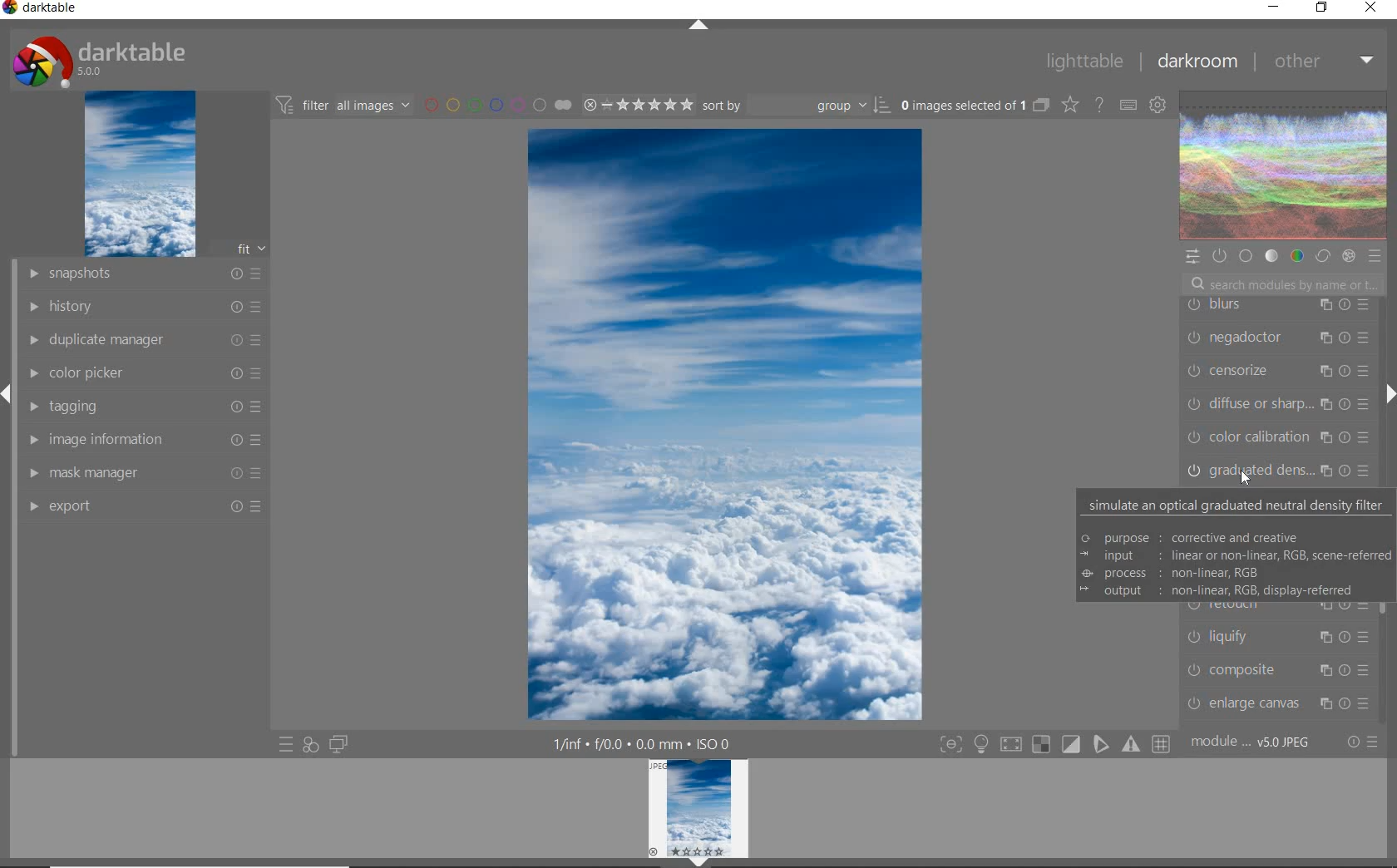 The height and width of the screenshot is (868, 1397). What do you see at coordinates (1281, 669) in the screenshot?
I see `composite` at bounding box center [1281, 669].